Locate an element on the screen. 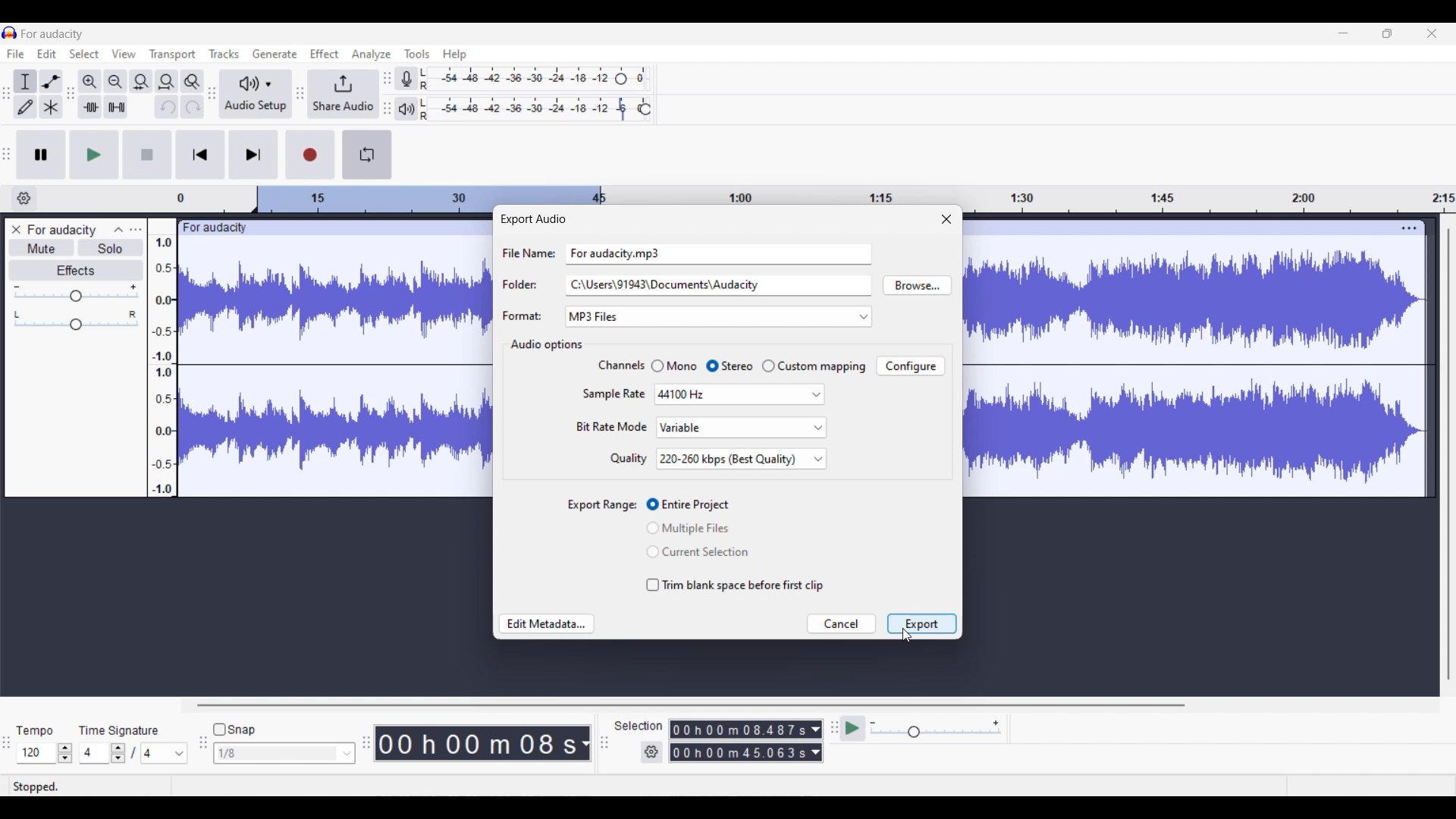 The image size is (1456, 819). Increase/Decrease number is located at coordinates (118, 753).